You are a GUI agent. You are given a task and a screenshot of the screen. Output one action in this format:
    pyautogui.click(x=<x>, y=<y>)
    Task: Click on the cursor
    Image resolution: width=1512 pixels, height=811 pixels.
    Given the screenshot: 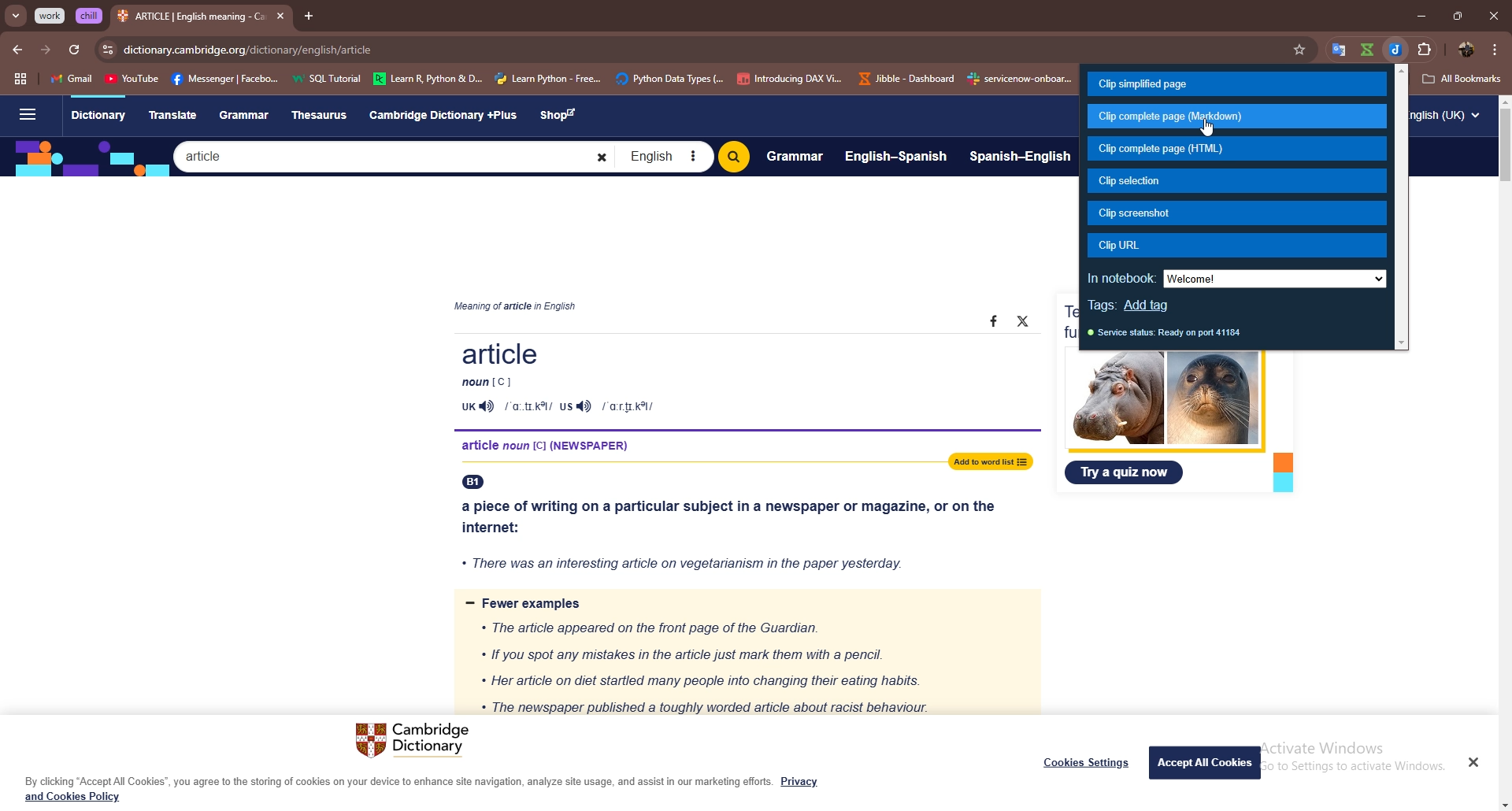 What is the action you would take?
    pyautogui.click(x=1207, y=129)
    